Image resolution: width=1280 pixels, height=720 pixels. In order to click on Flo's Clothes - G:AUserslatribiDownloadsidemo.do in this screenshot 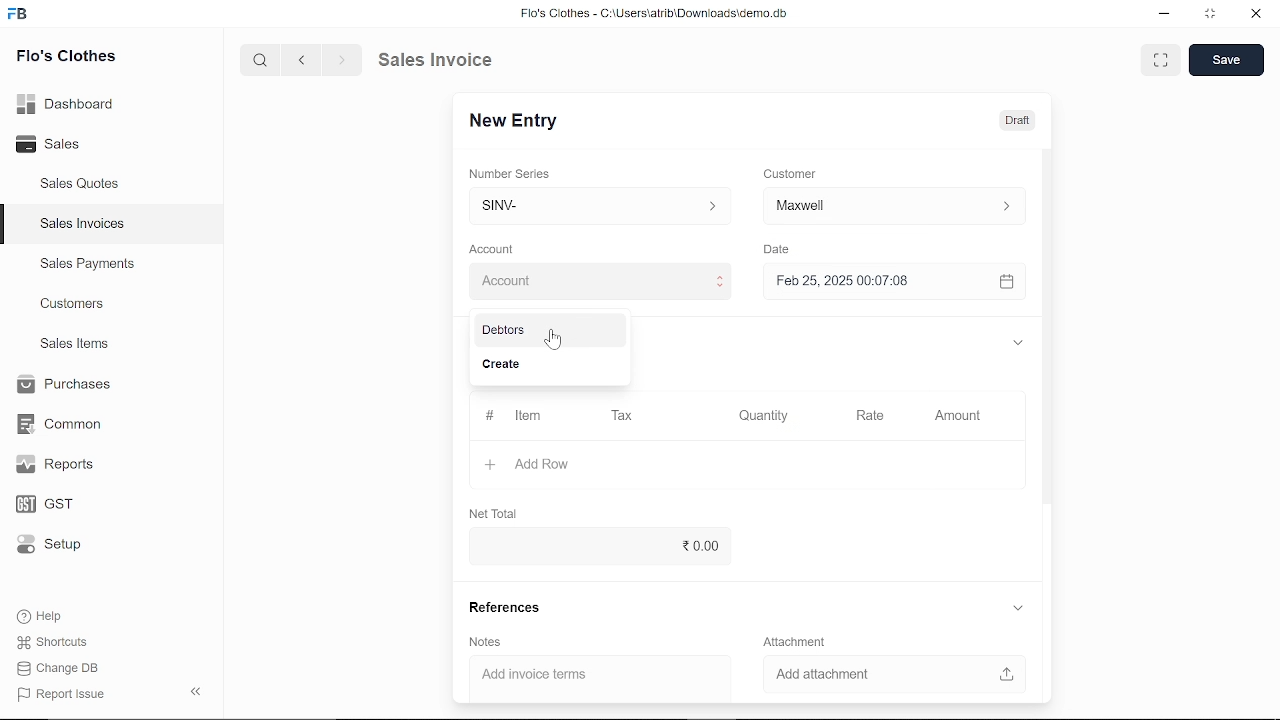, I will do `click(651, 13)`.